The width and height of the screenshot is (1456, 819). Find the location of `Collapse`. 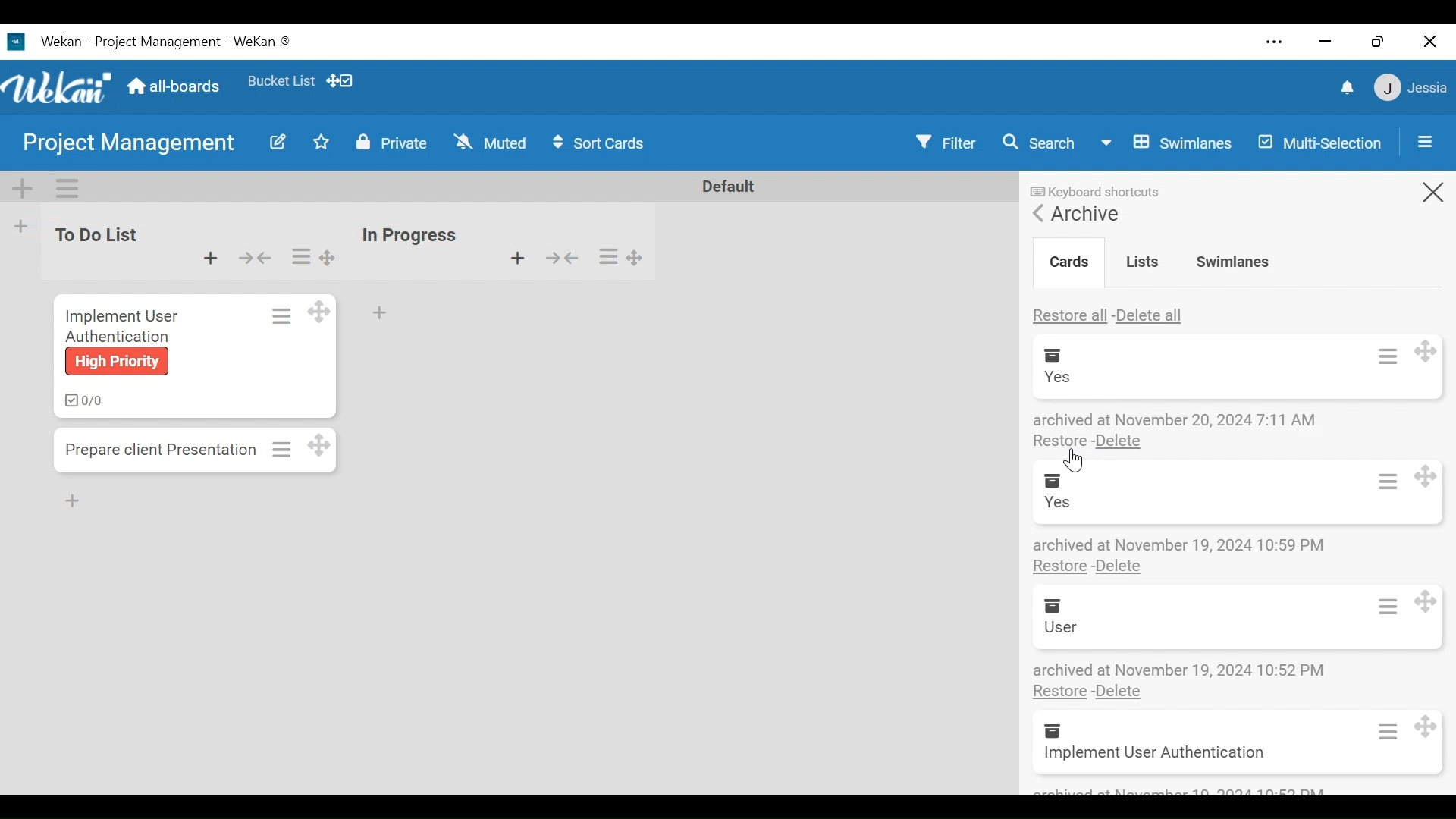

Collapse is located at coordinates (560, 258).